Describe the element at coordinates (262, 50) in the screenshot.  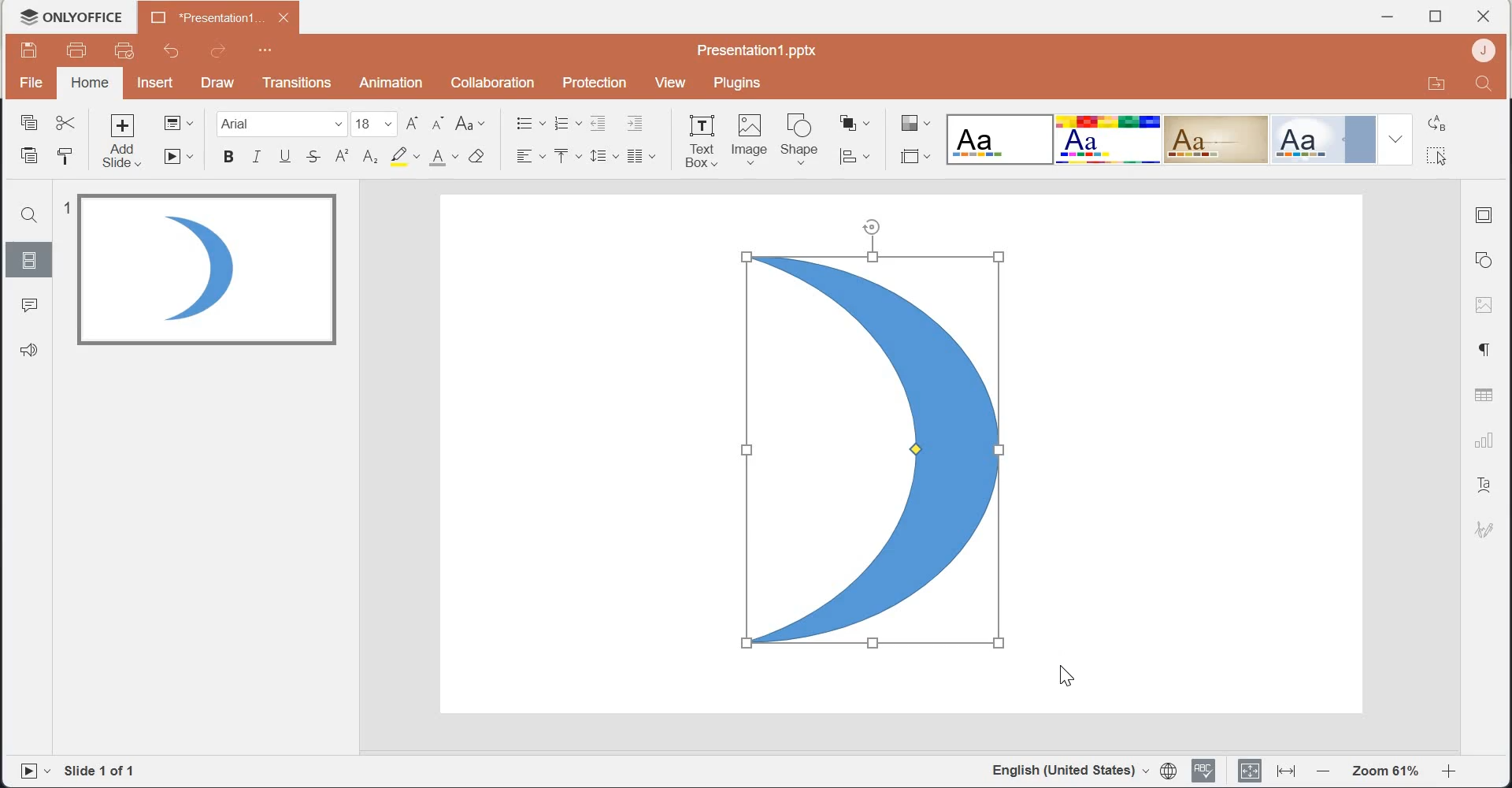
I see `Customize Quick Access Toolbar` at that location.